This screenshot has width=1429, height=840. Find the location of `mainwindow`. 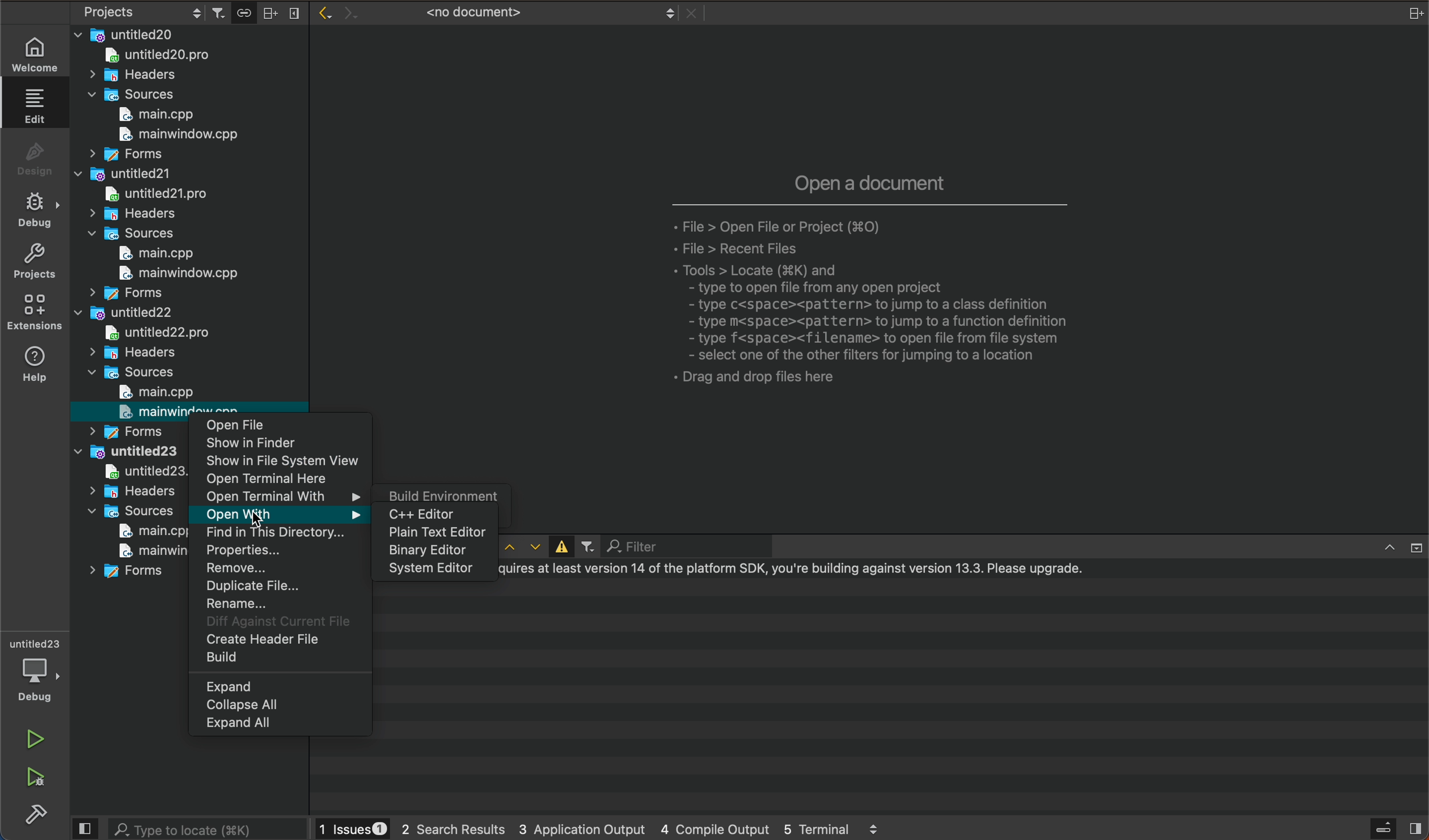

mainwindow is located at coordinates (170, 274).